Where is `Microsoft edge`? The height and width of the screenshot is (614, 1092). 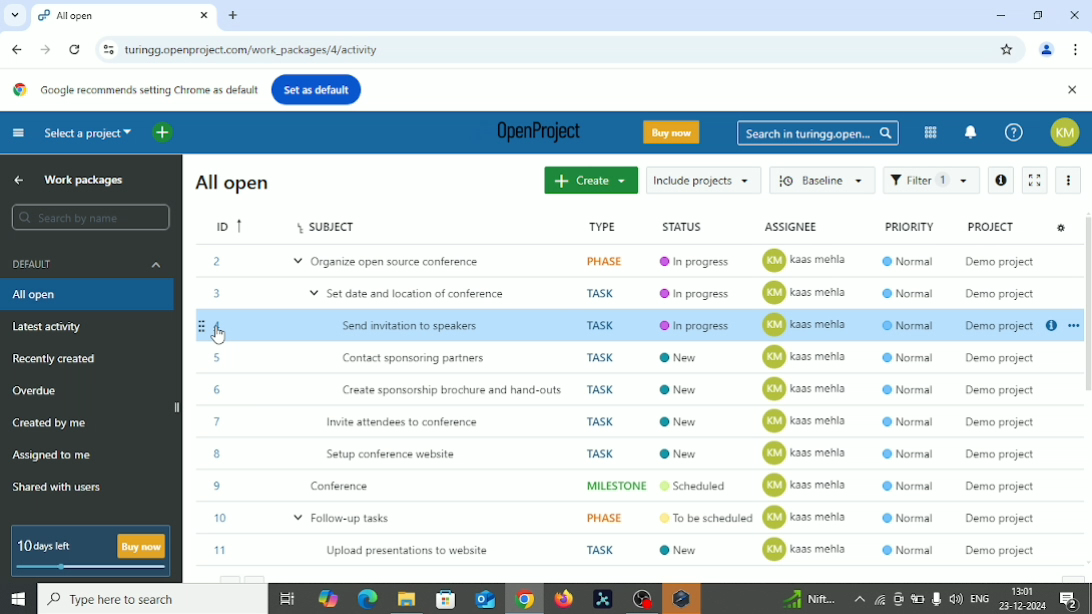
Microsoft edge is located at coordinates (366, 600).